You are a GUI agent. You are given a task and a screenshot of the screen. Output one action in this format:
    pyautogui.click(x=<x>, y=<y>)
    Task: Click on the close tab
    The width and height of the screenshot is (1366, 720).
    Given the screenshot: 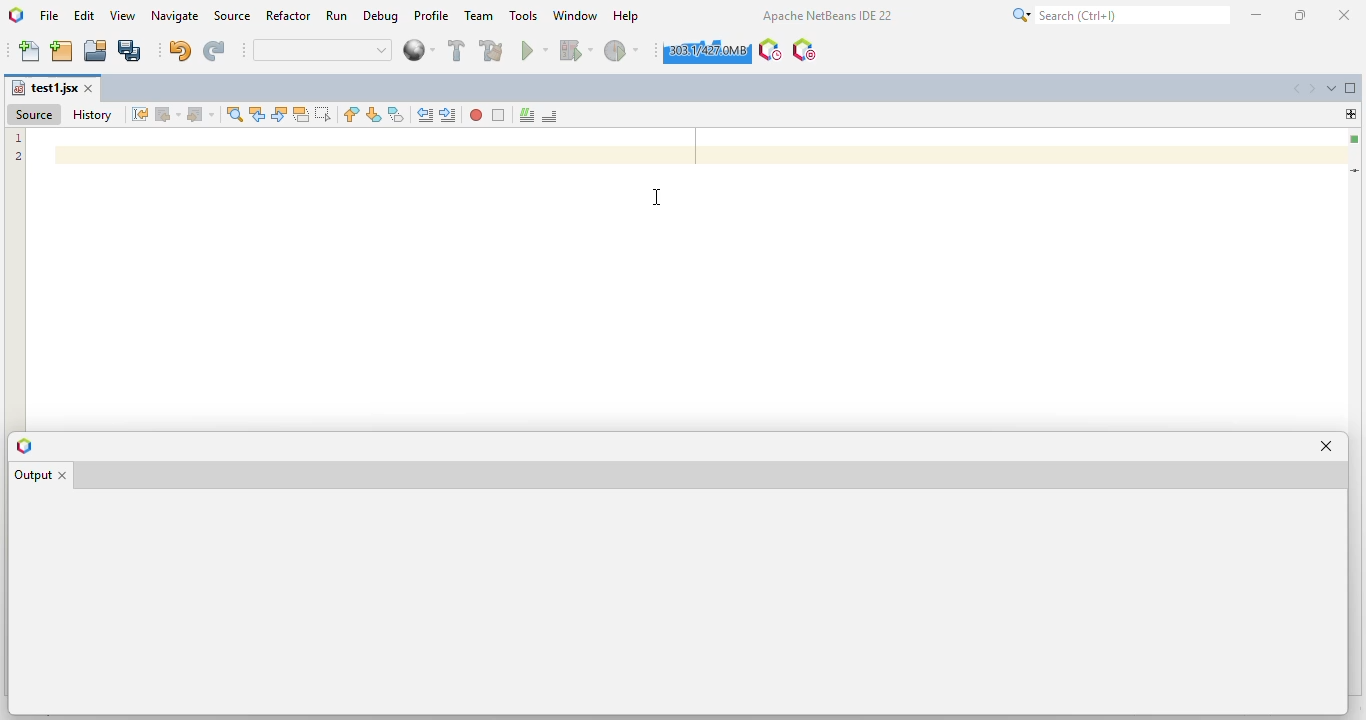 What is the action you would take?
    pyautogui.click(x=69, y=474)
    